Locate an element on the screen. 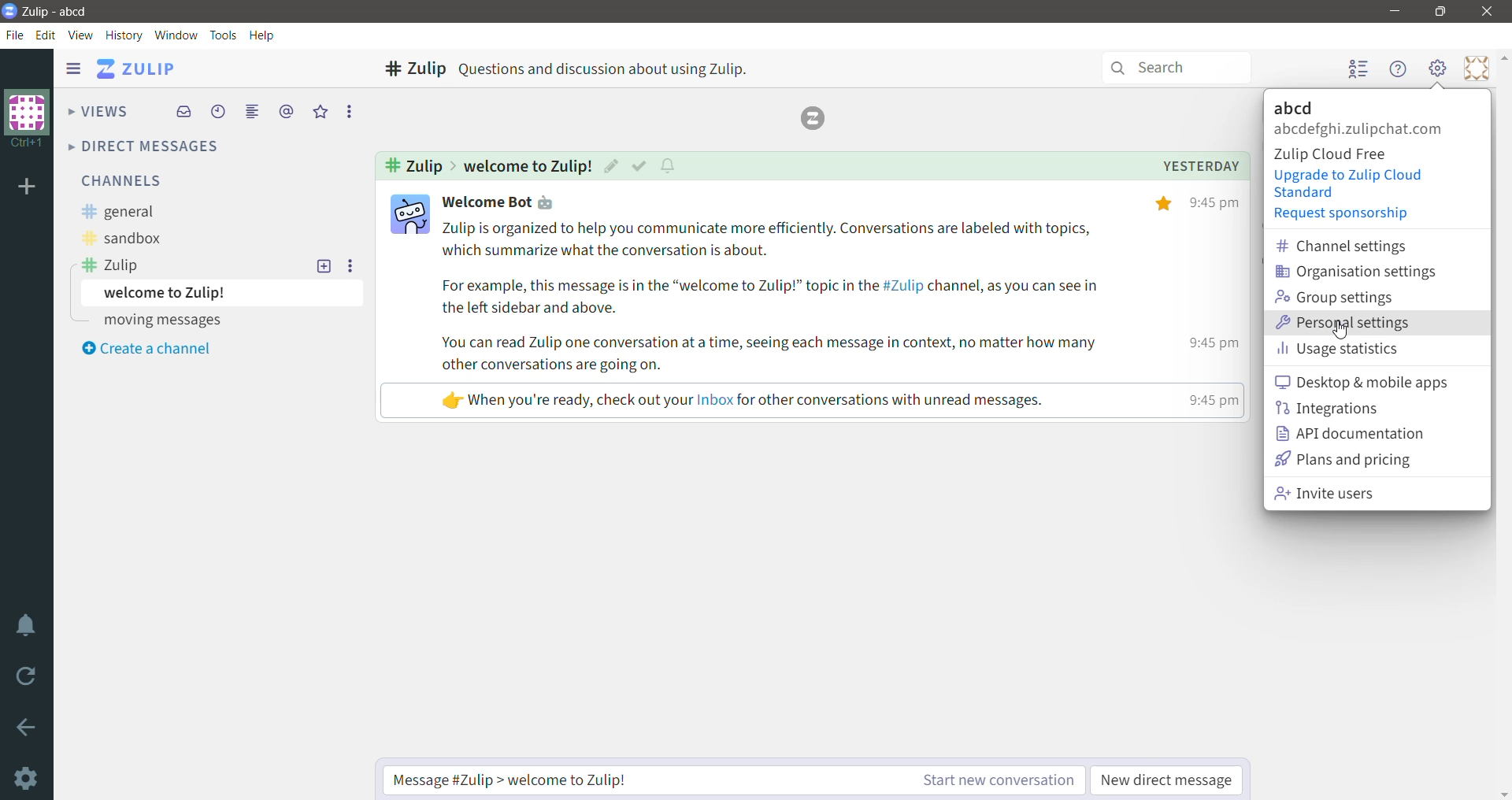 The width and height of the screenshot is (1512, 800). Add Organization is located at coordinates (28, 188).